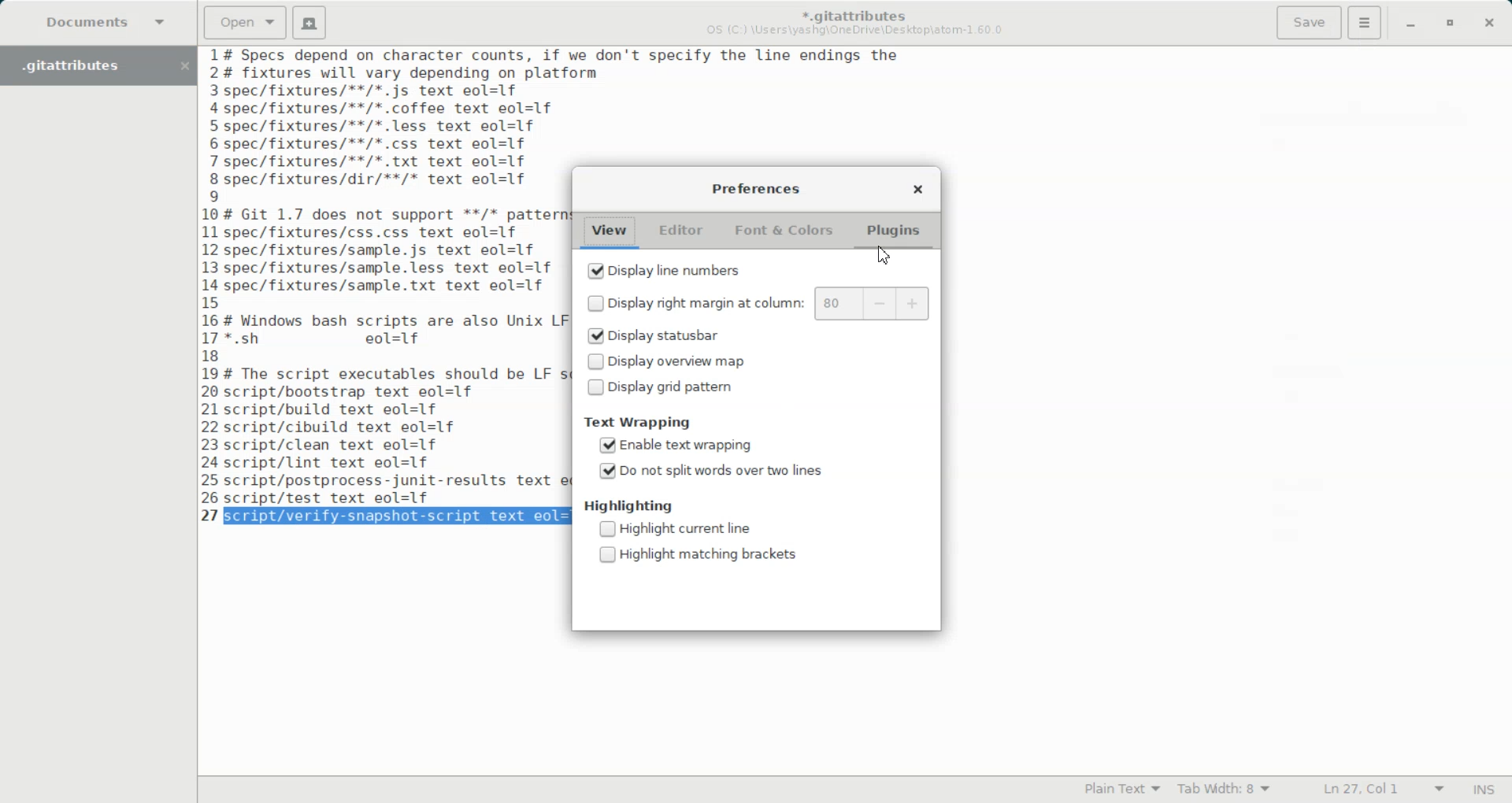 This screenshot has height=803, width=1512. Describe the element at coordinates (1451, 24) in the screenshot. I see `Maximize` at that location.